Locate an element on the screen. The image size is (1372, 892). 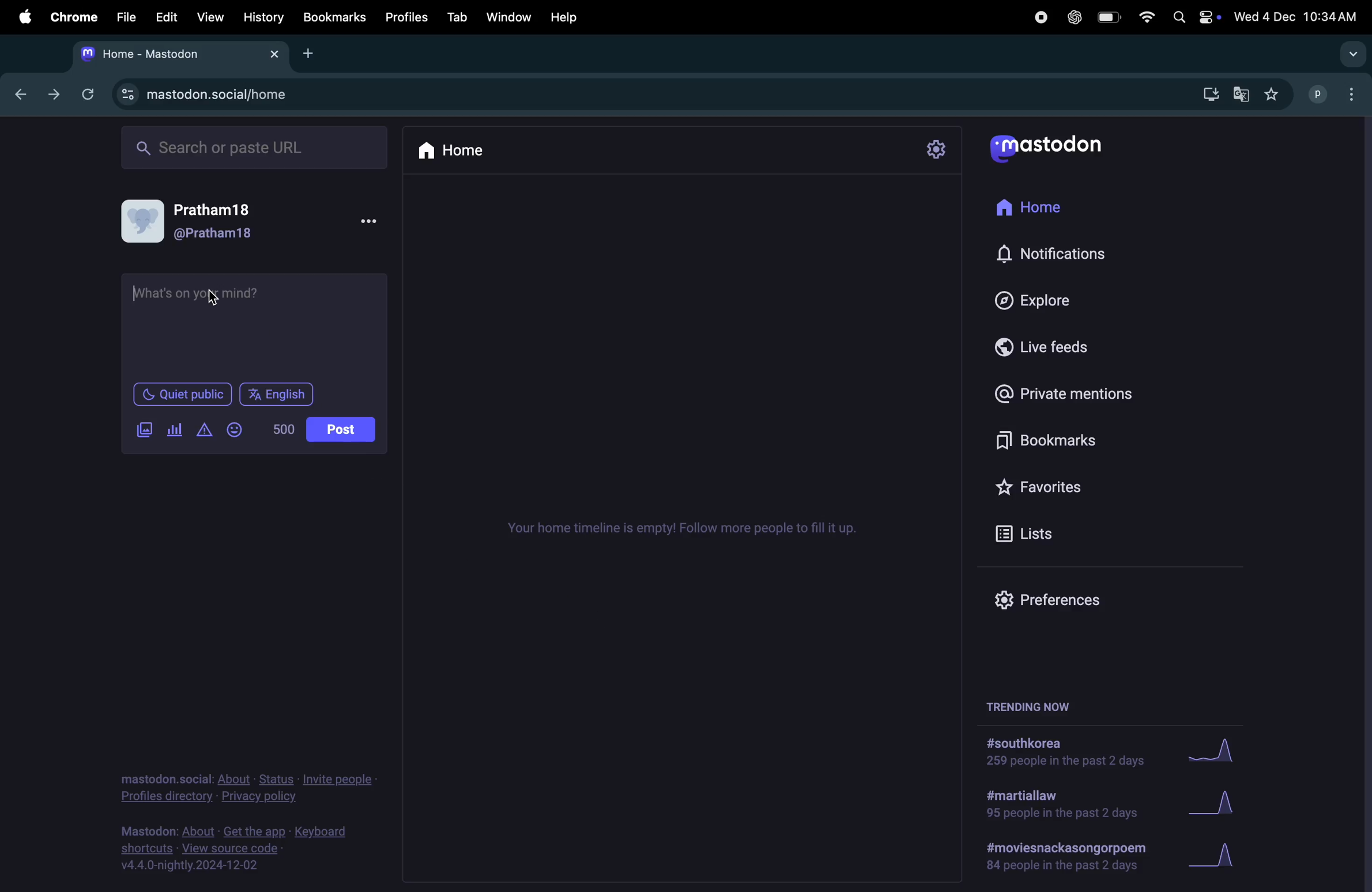
500 words is located at coordinates (286, 429).